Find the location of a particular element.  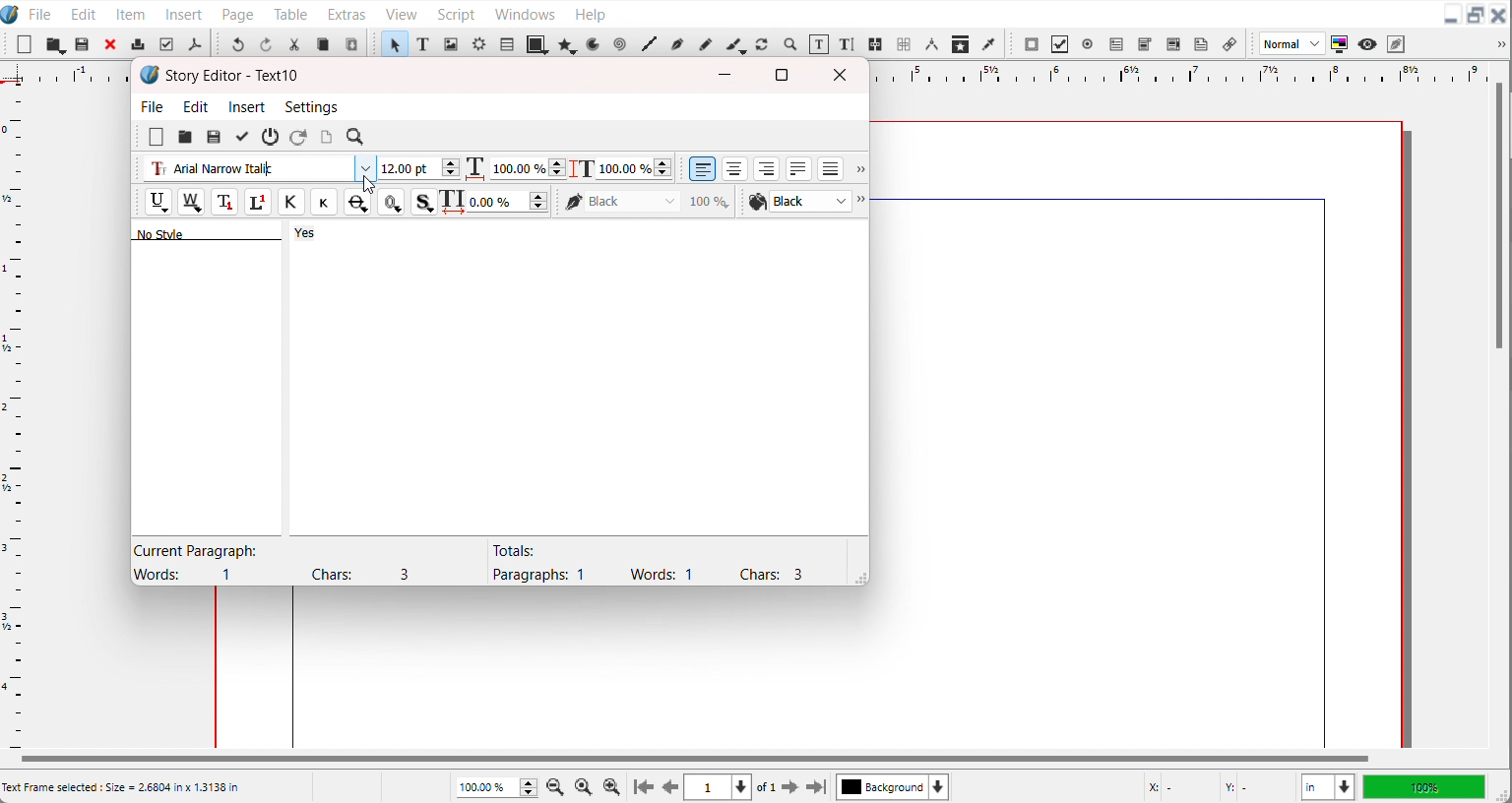

Align text center is located at coordinates (735, 168).